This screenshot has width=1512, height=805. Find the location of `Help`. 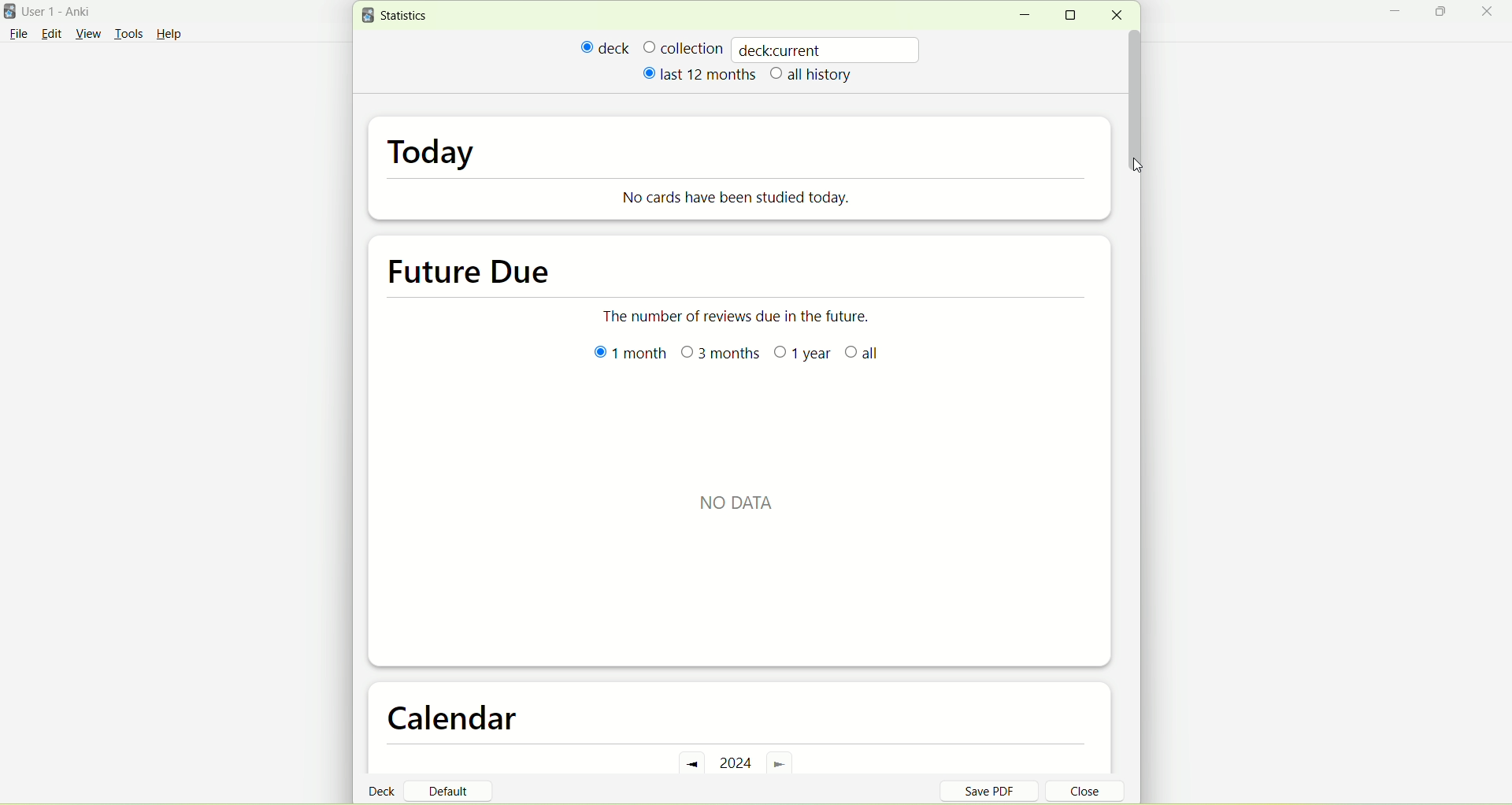

Help is located at coordinates (169, 36).